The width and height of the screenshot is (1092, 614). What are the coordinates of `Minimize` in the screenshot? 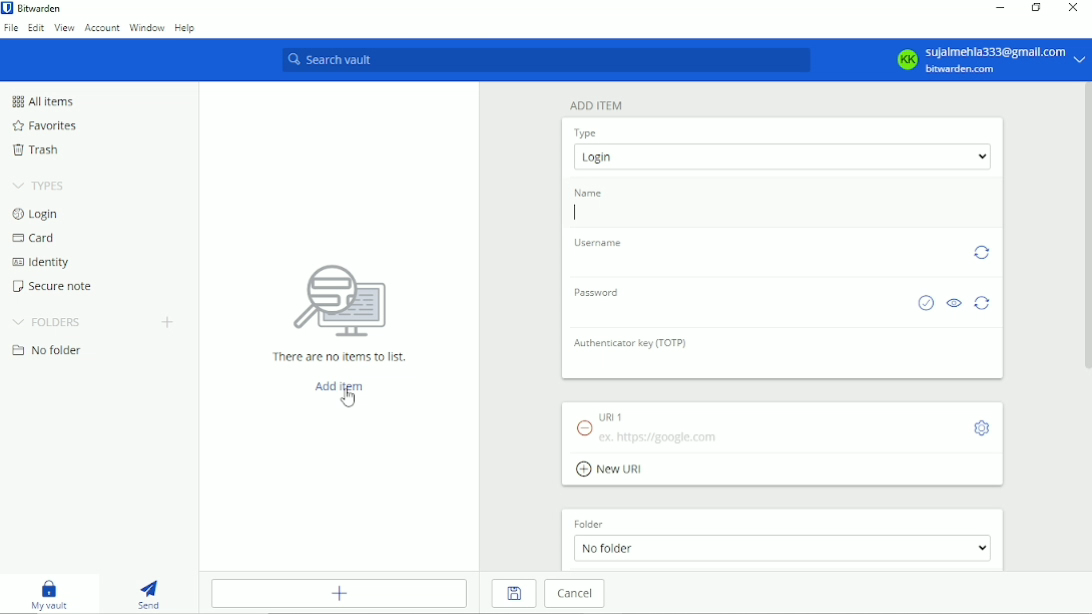 It's located at (1001, 9).